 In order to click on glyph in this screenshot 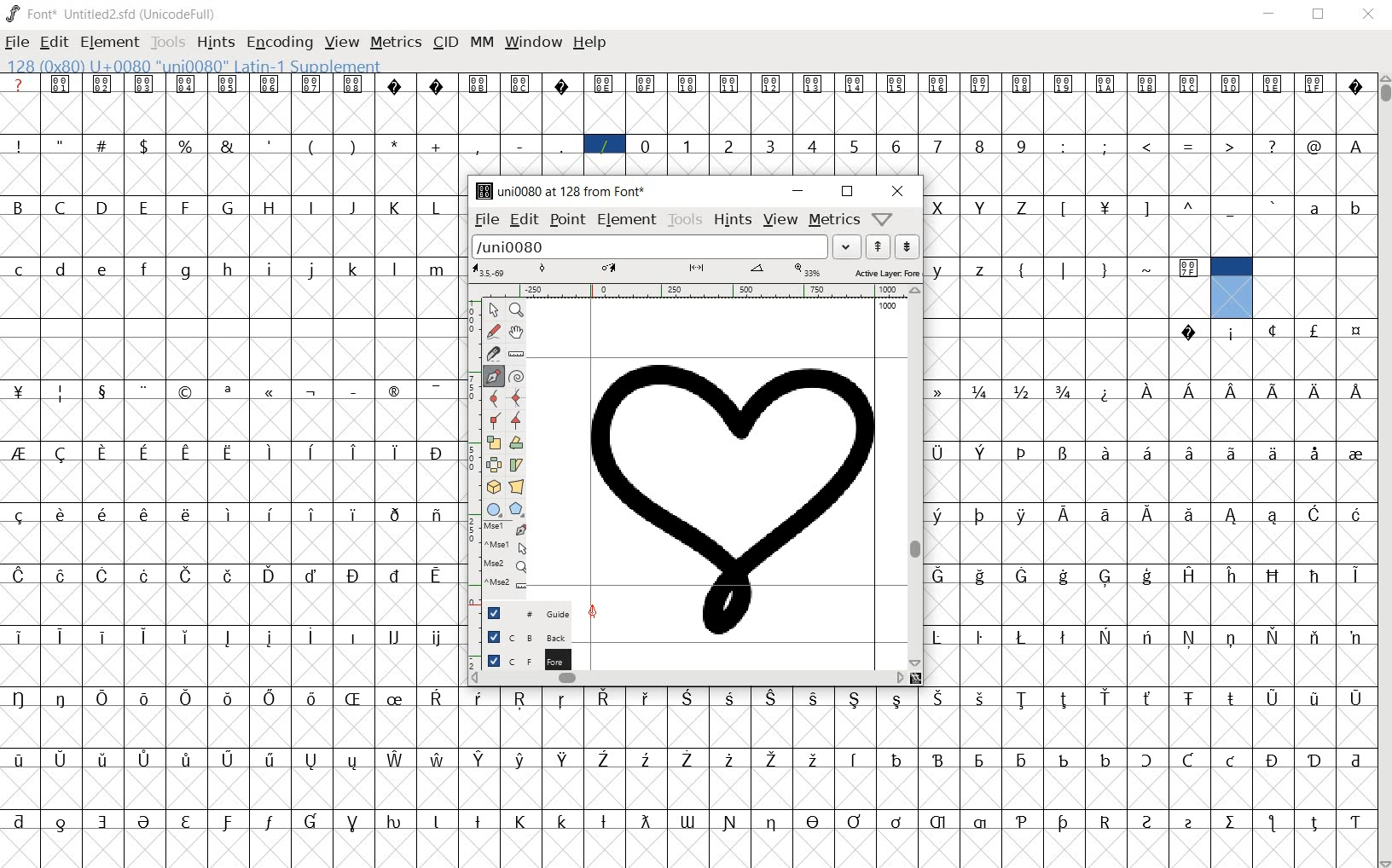, I will do `click(312, 393)`.